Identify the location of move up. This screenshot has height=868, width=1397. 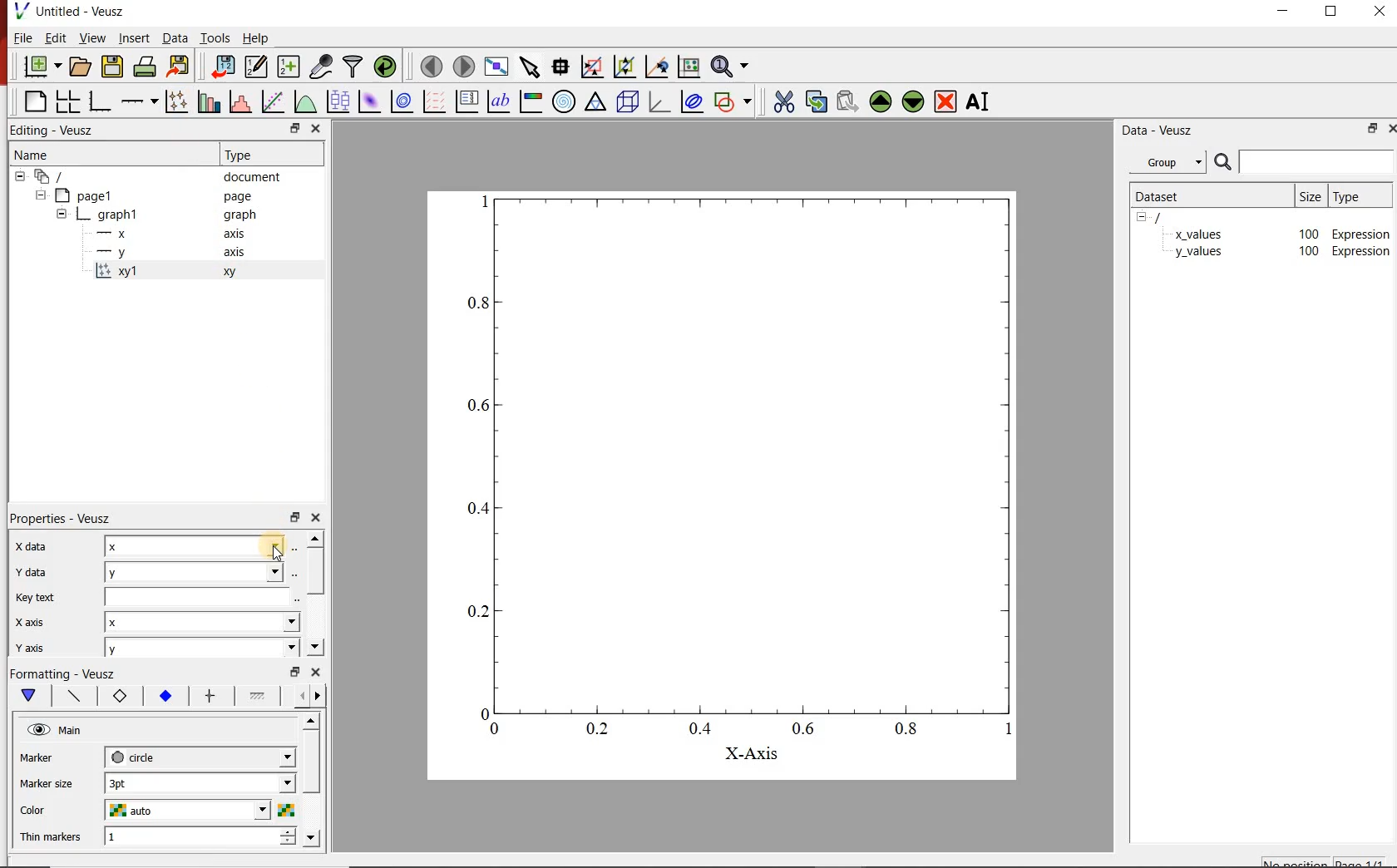
(315, 539).